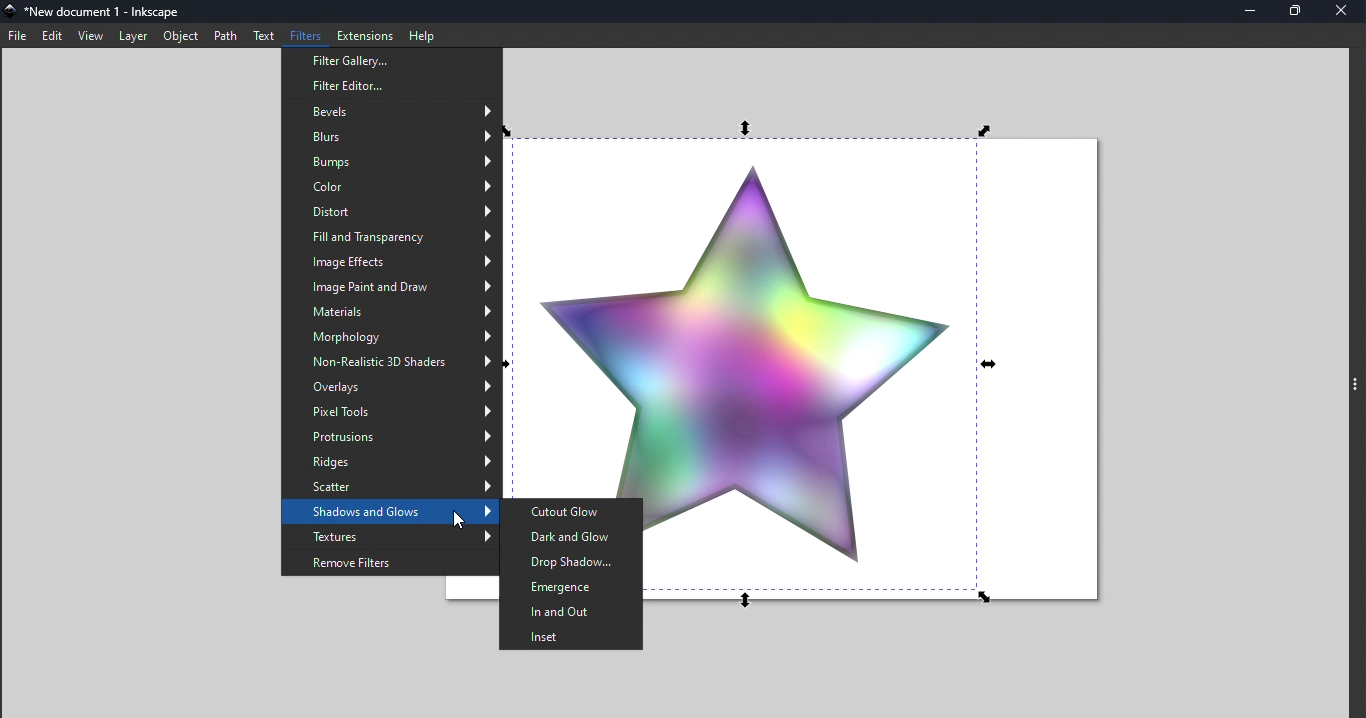 The height and width of the screenshot is (718, 1366). Describe the element at coordinates (391, 87) in the screenshot. I see `Filter editor` at that location.